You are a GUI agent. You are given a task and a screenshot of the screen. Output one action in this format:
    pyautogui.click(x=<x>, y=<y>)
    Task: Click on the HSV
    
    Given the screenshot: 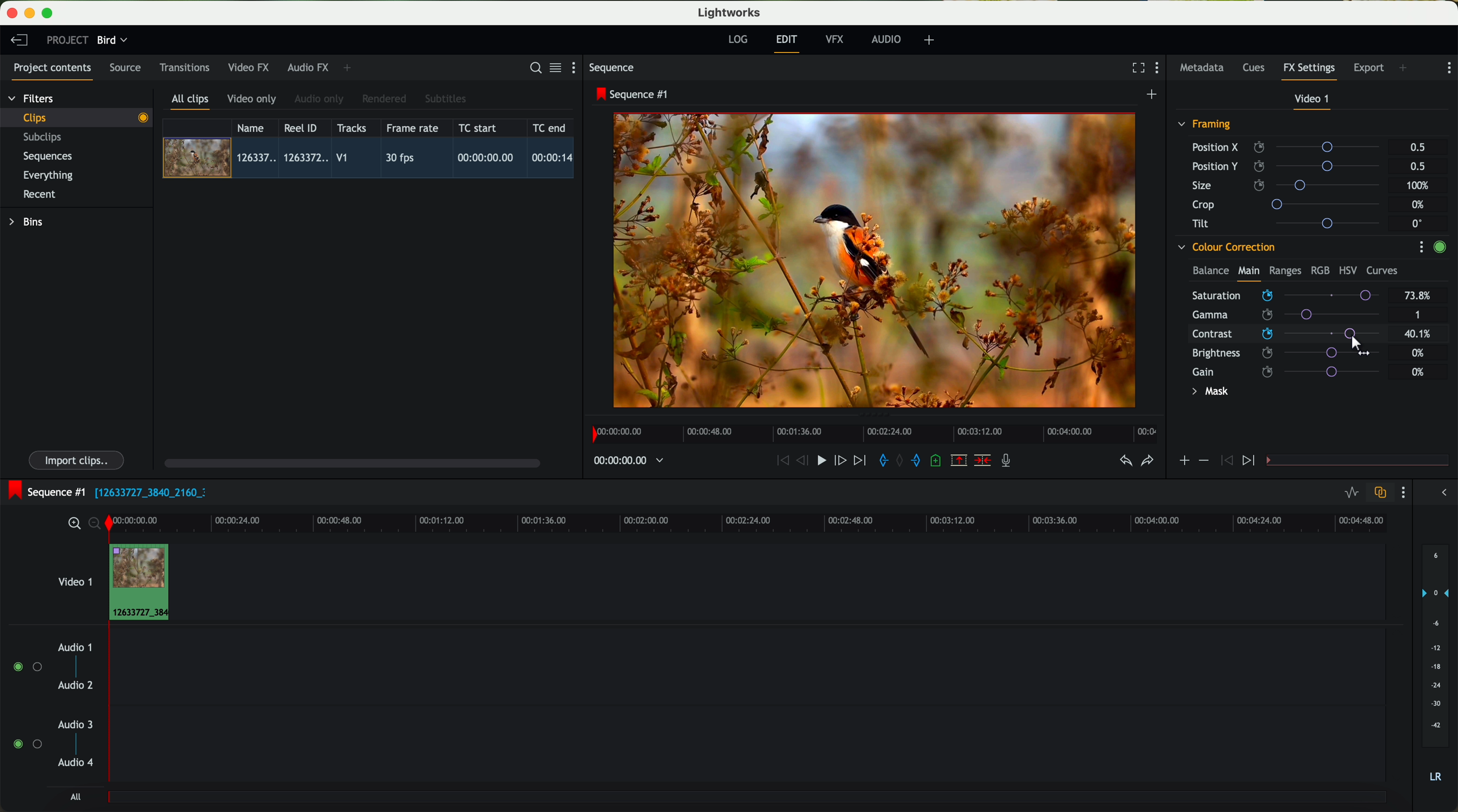 What is the action you would take?
    pyautogui.click(x=1347, y=270)
    